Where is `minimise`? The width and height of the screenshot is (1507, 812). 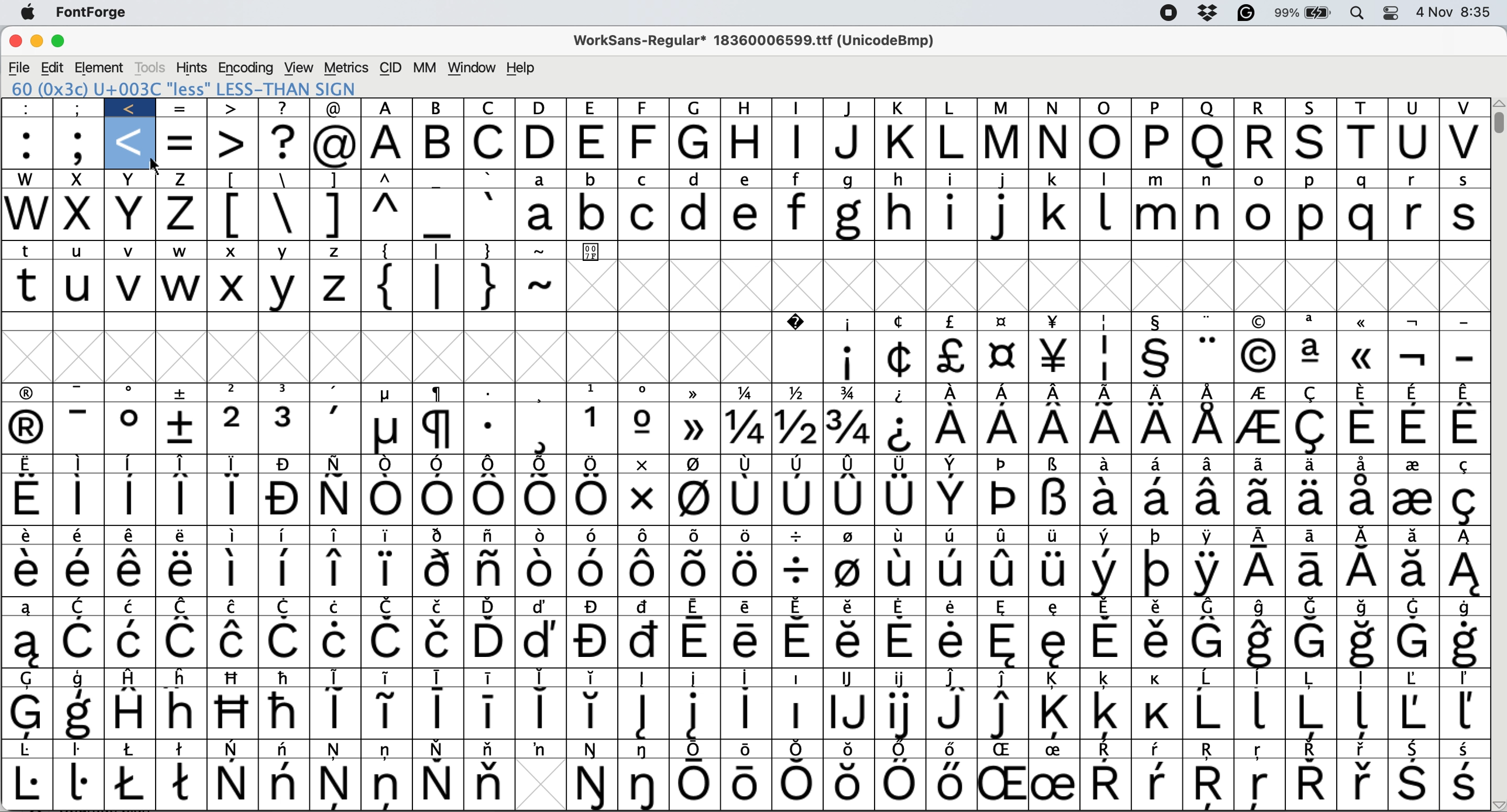
minimise is located at coordinates (37, 42).